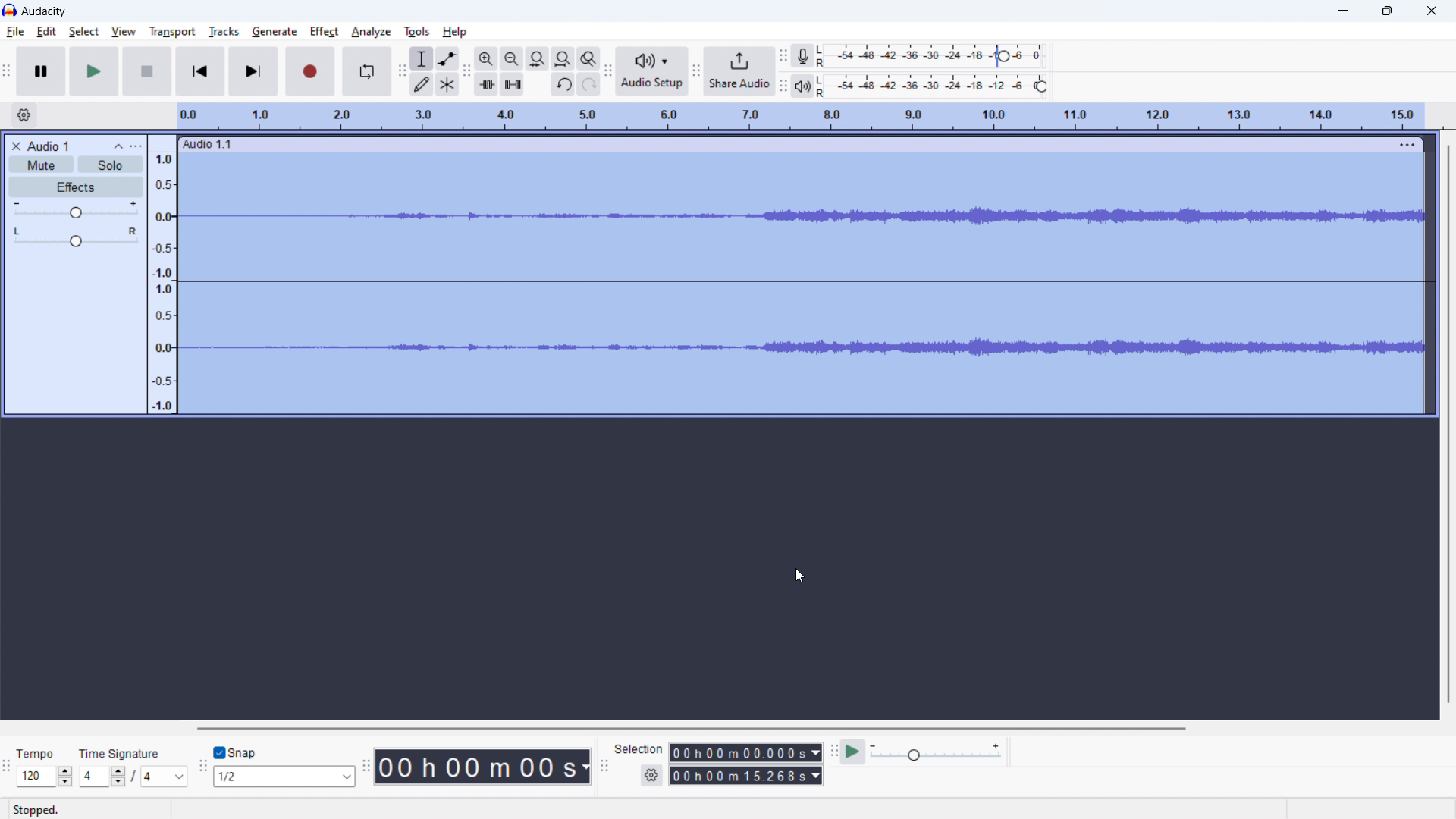 The height and width of the screenshot is (819, 1456). Describe the element at coordinates (1405, 145) in the screenshot. I see `menu` at that location.